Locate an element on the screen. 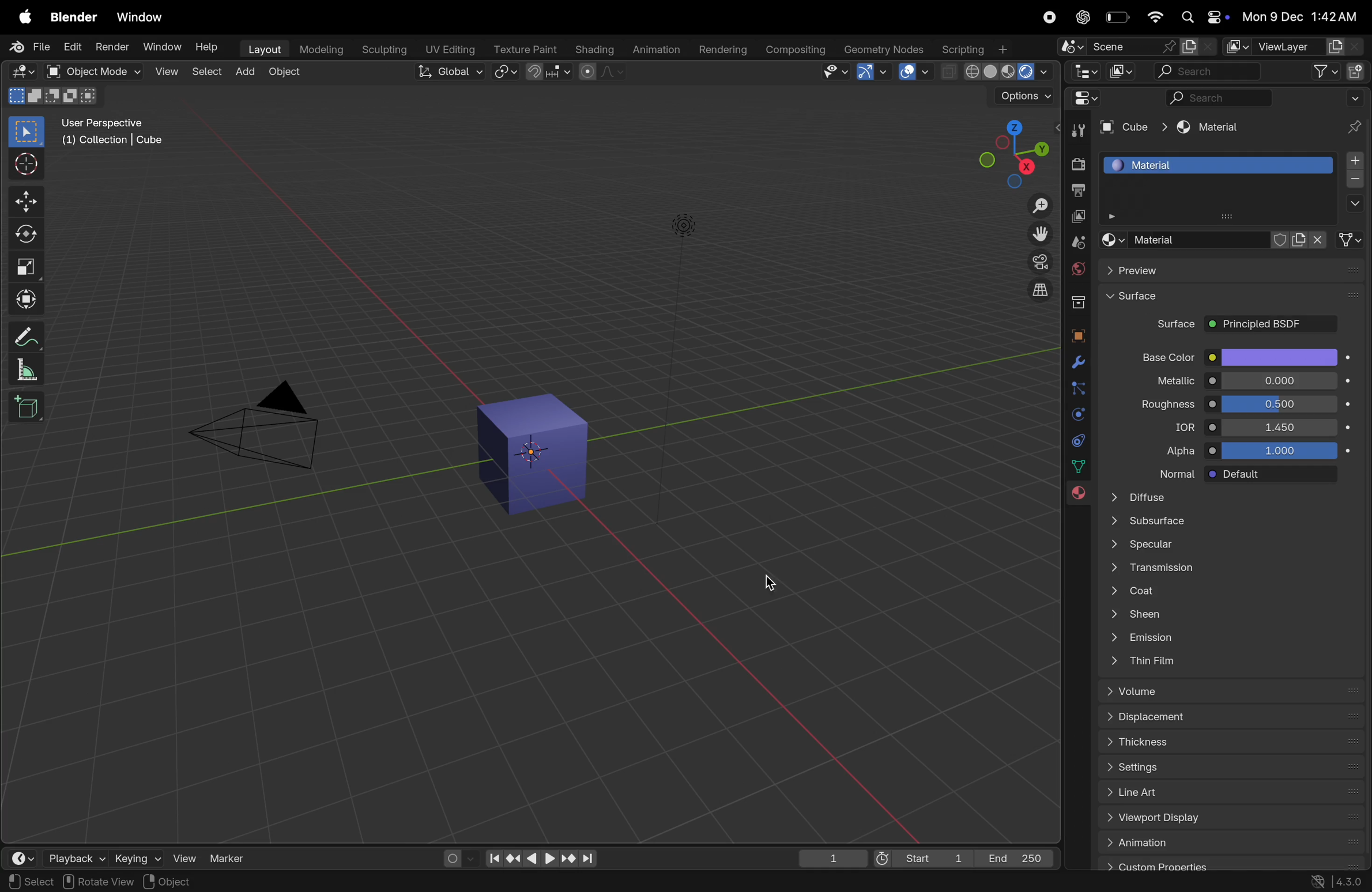  modifier is located at coordinates (93, 882).